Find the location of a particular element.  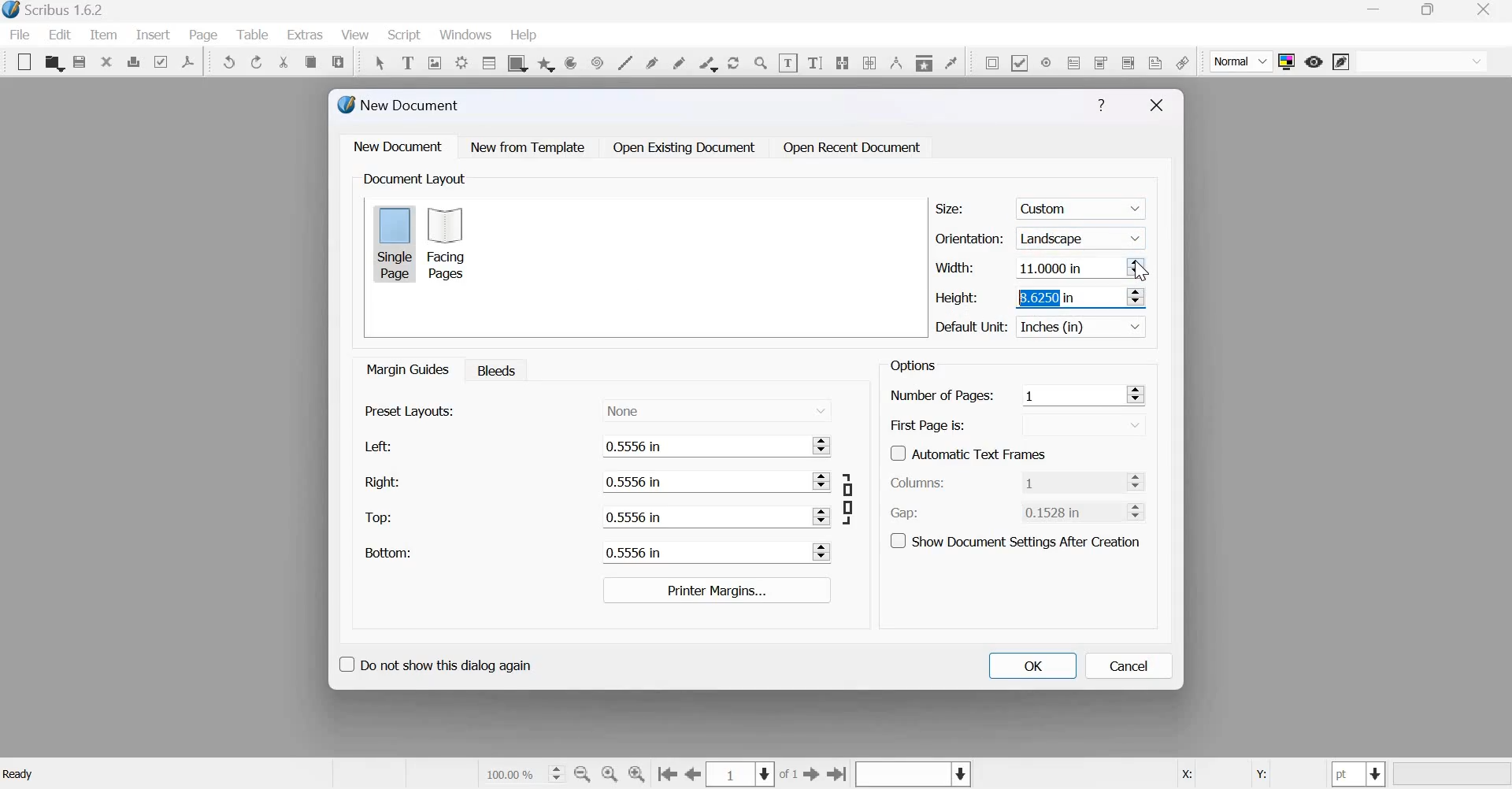

Increase and Decrease is located at coordinates (1135, 296).